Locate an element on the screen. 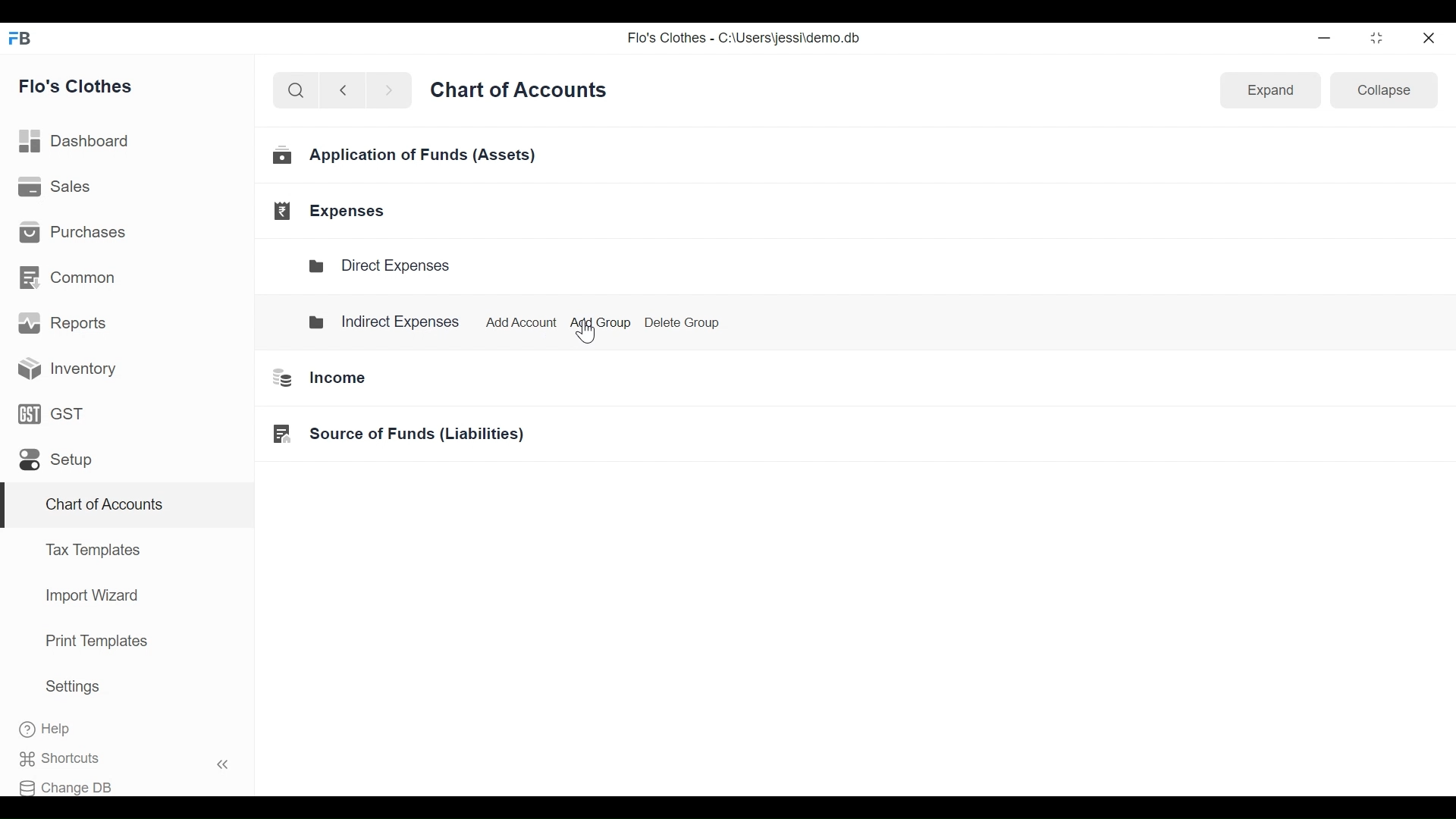 This screenshot has width=1456, height=819. Purchases is located at coordinates (77, 234).